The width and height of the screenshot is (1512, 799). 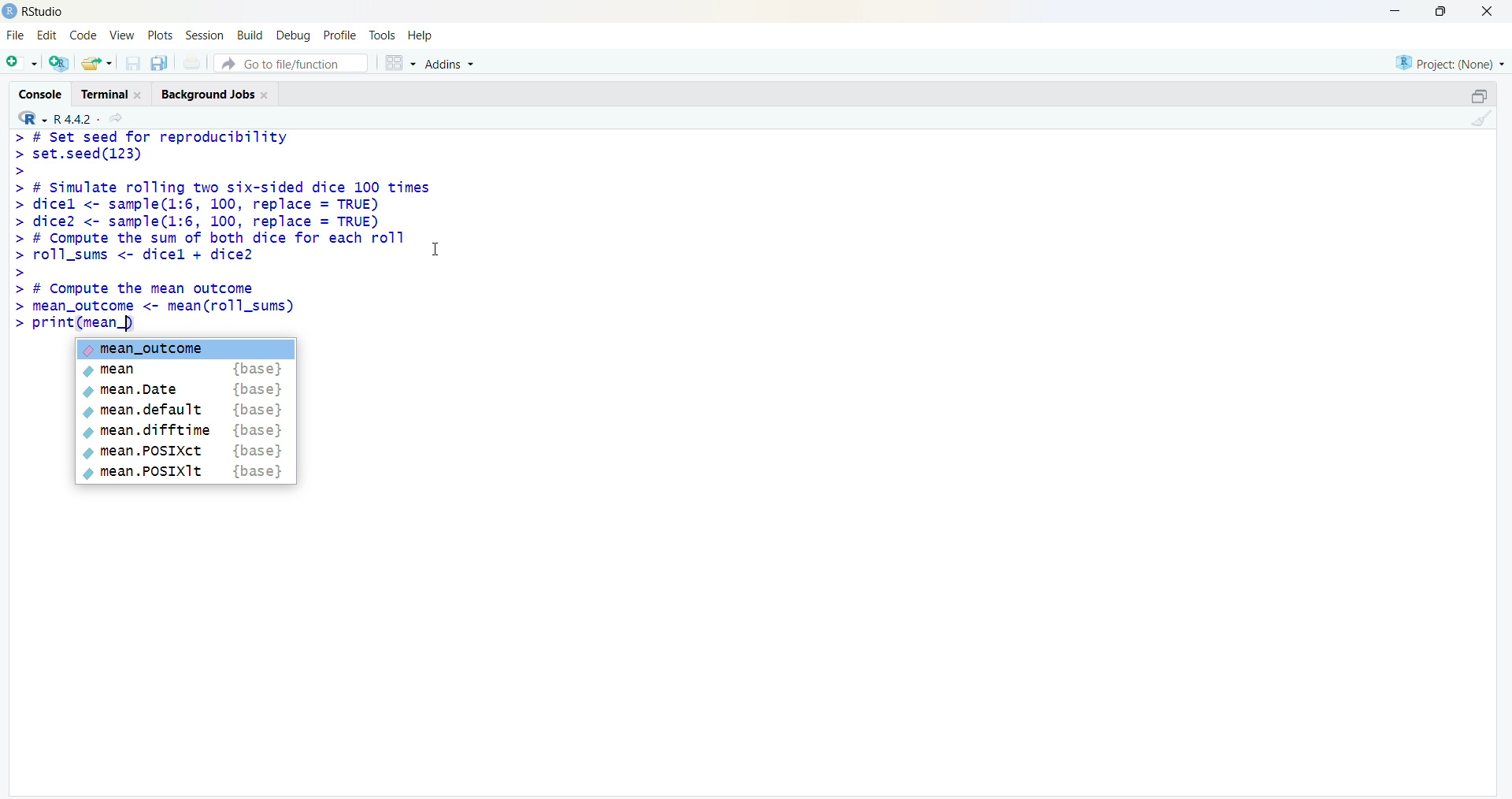 I want to click on mean {base}, so click(x=183, y=370).